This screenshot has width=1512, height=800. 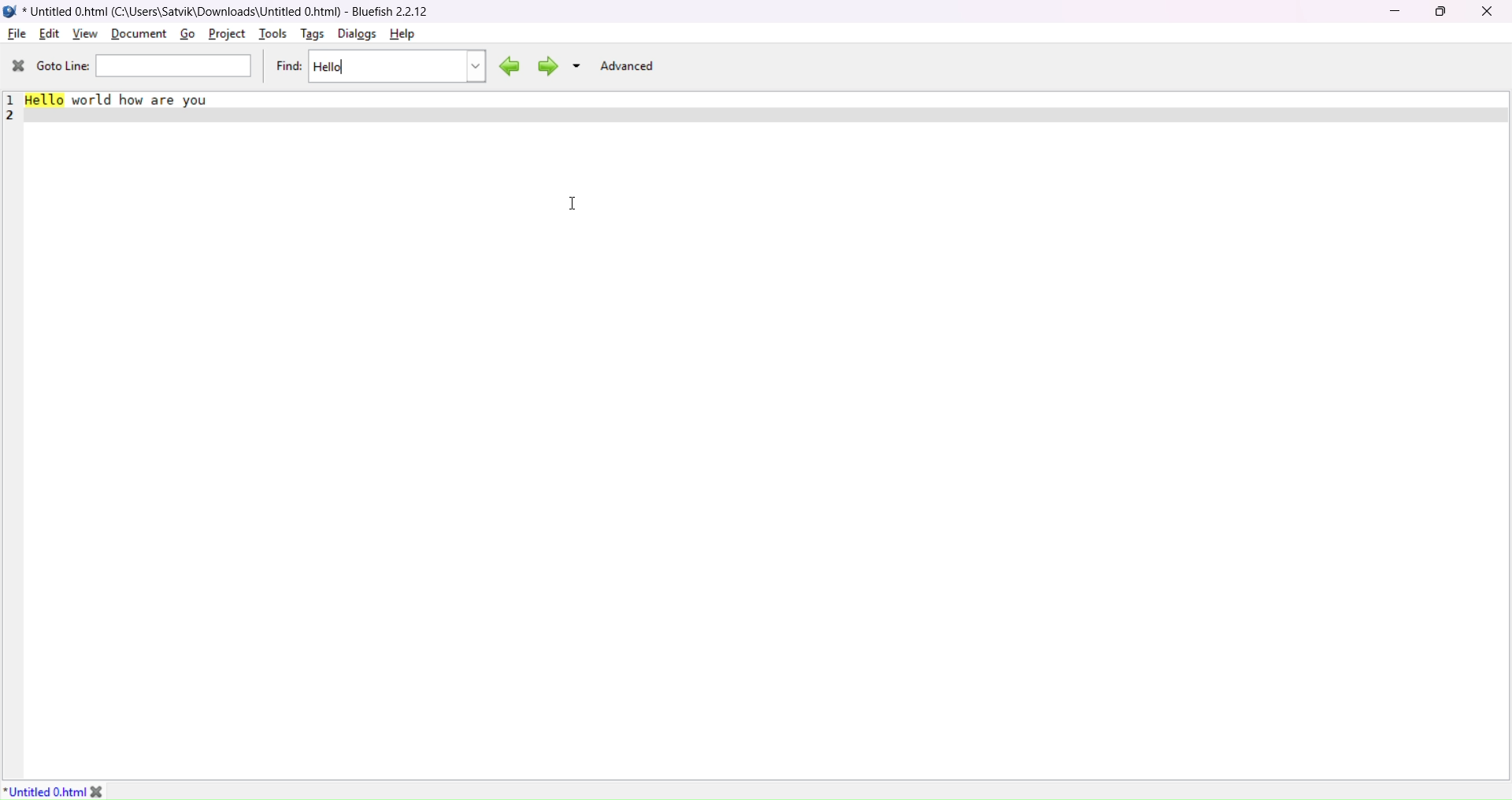 I want to click on File Name, so click(x=44, y=791).